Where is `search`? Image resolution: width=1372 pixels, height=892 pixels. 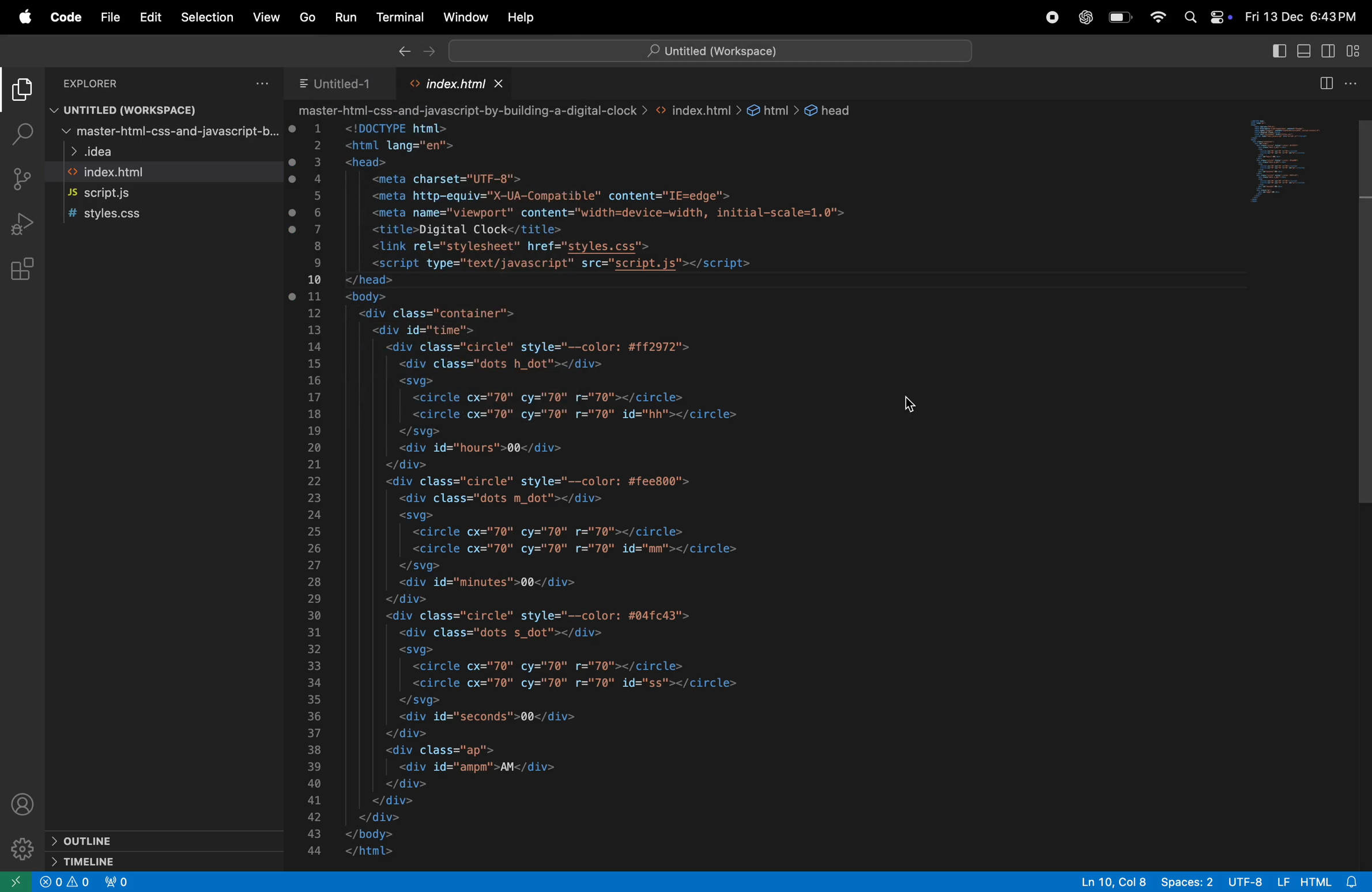 search is located at coordinates (20, 131).